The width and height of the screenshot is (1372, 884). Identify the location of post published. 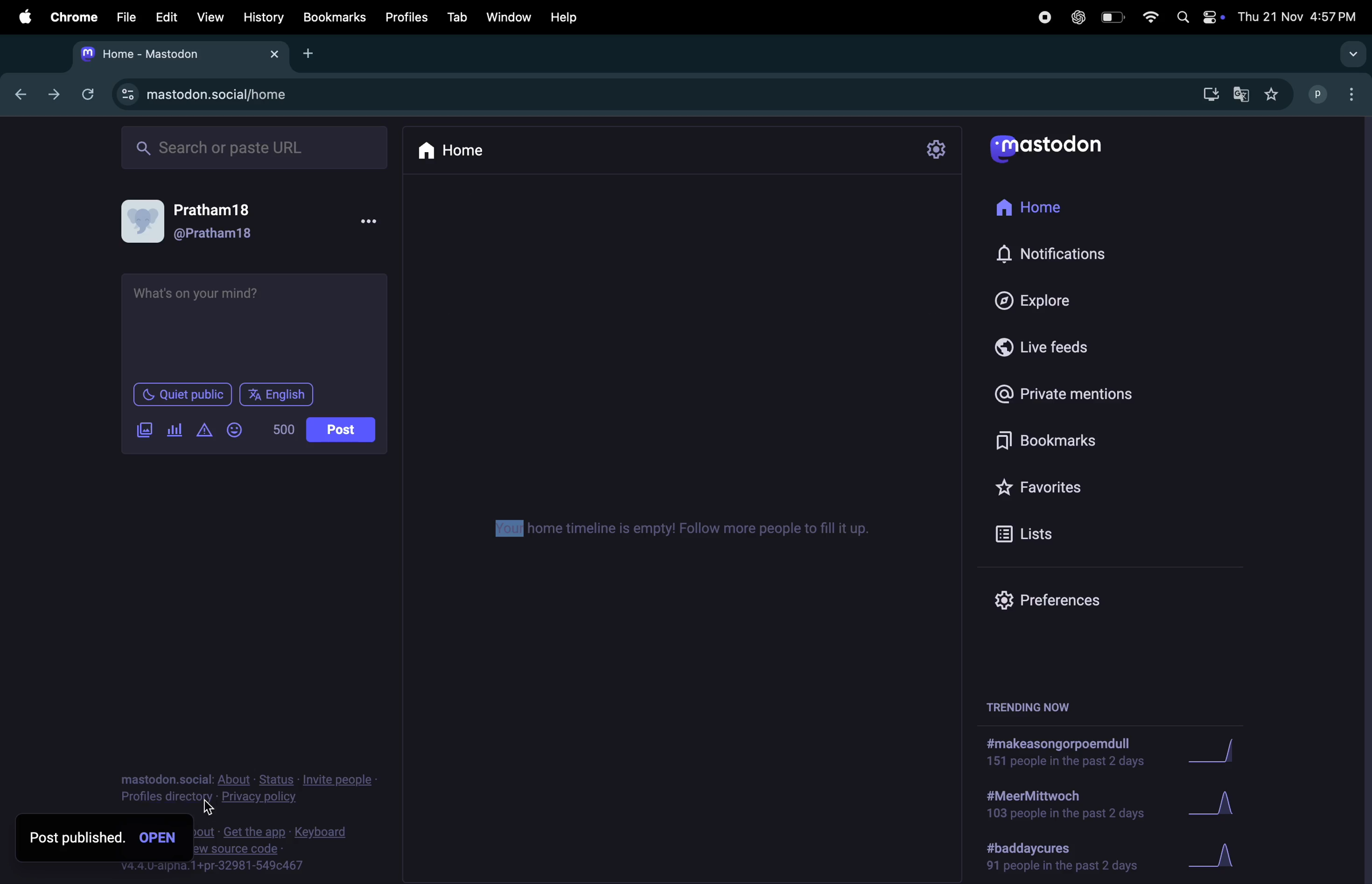
(76, 838).